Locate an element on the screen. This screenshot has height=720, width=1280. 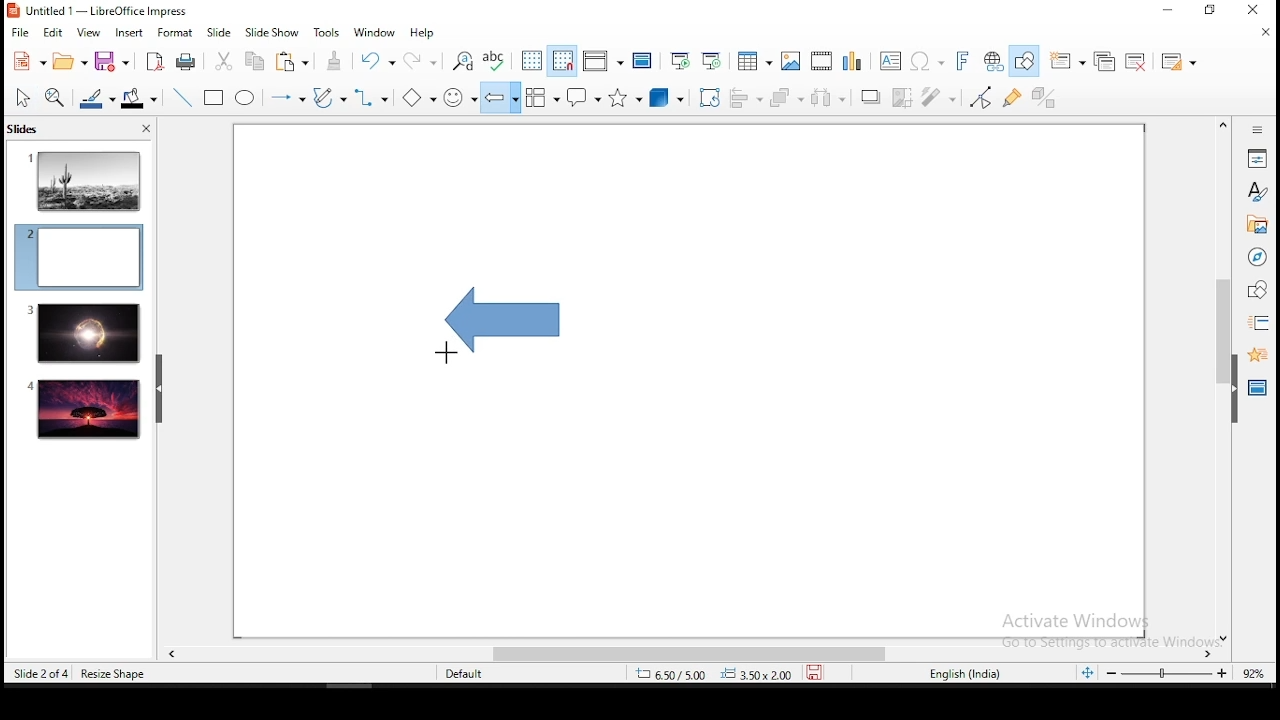
insert is located at coordinates (129, 32).